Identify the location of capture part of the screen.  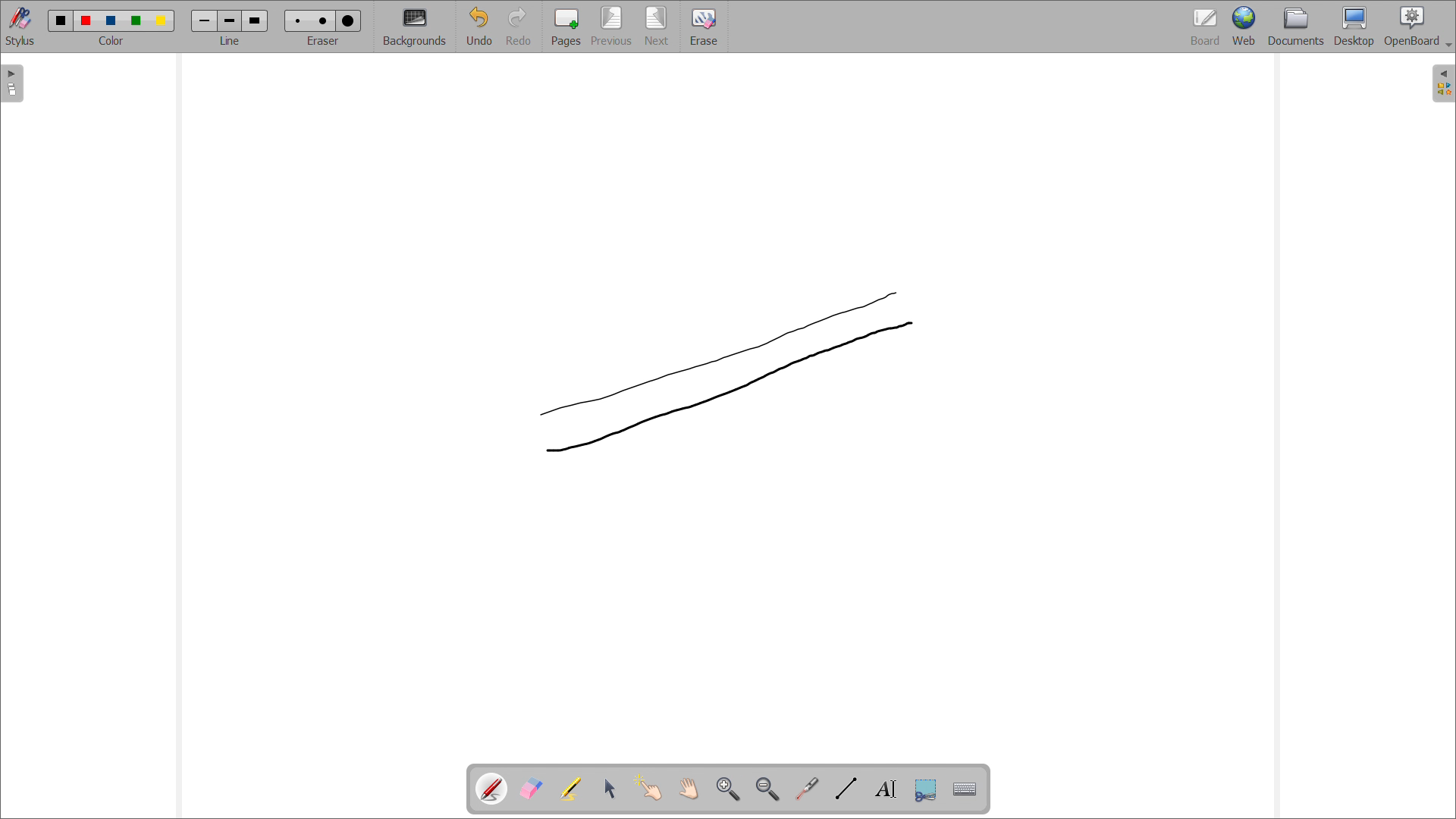
(926, 789).